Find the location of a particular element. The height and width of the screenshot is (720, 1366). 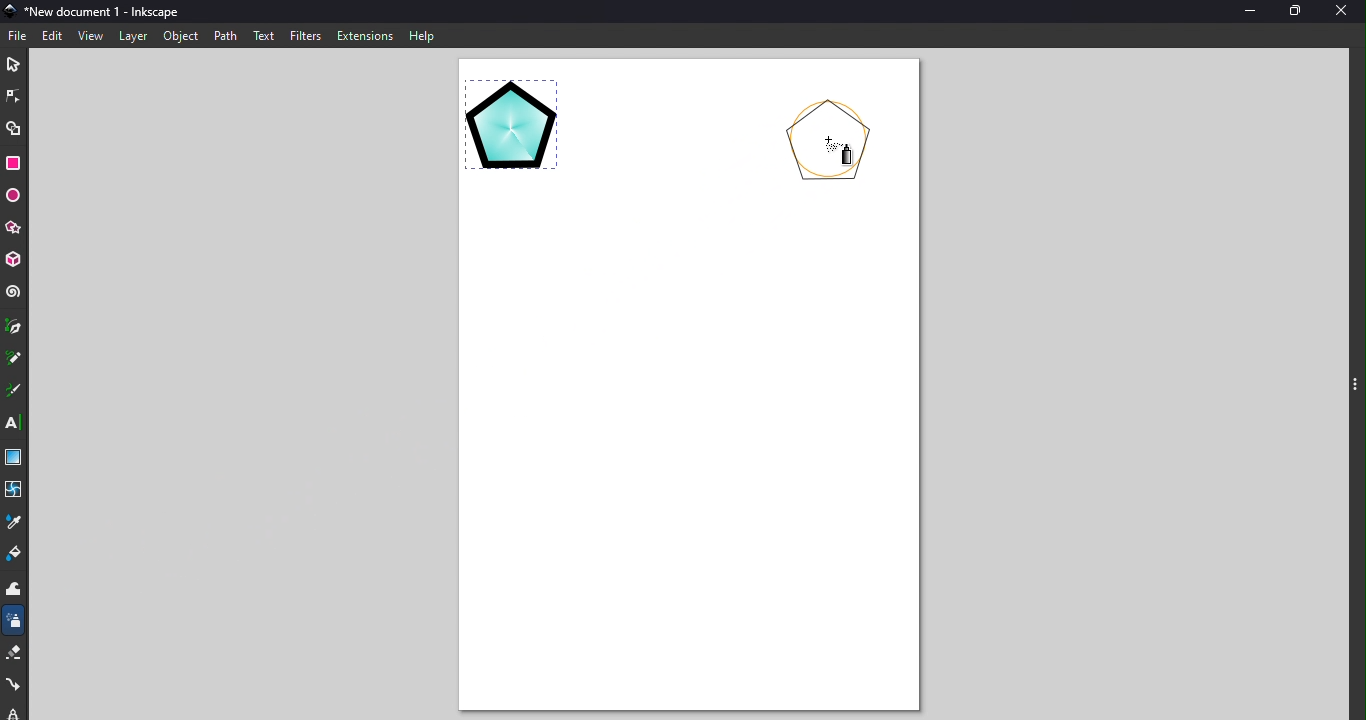

New document 1 - Inkscape is located at coordinates (106, 10).